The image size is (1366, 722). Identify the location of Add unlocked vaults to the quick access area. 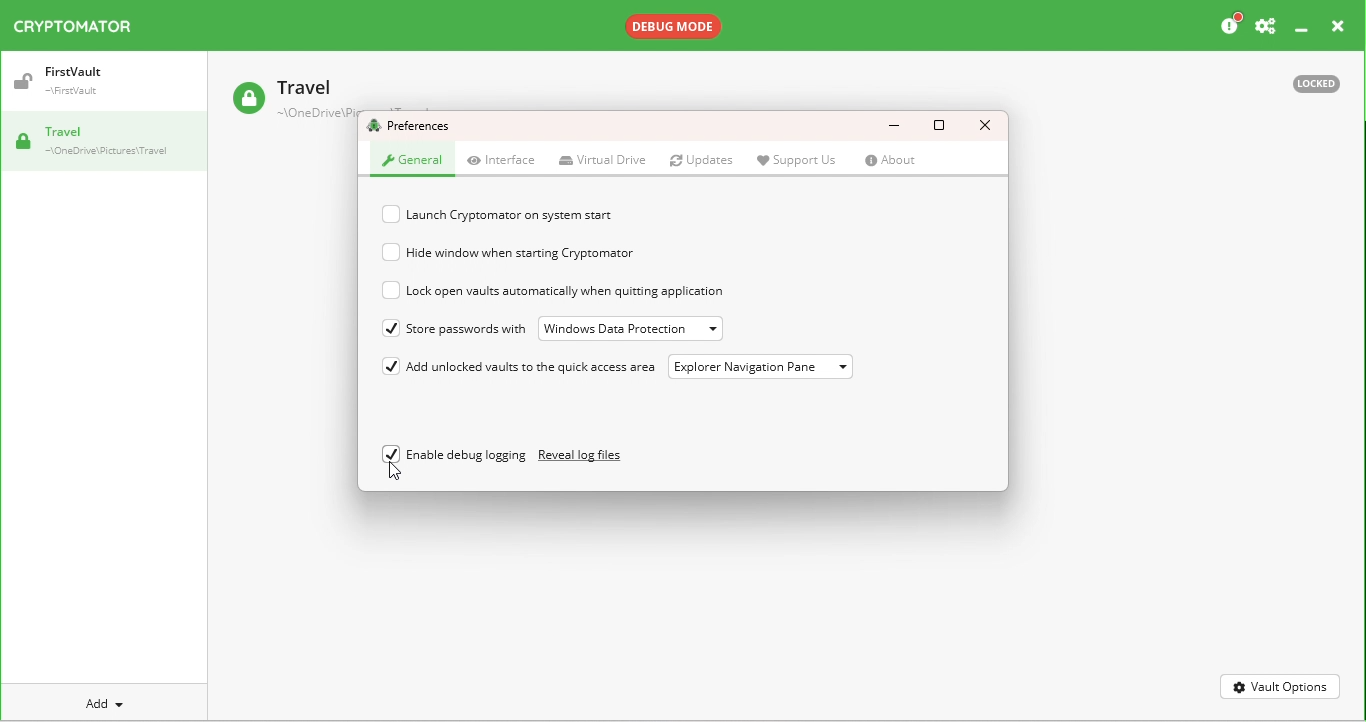
(537, 367).